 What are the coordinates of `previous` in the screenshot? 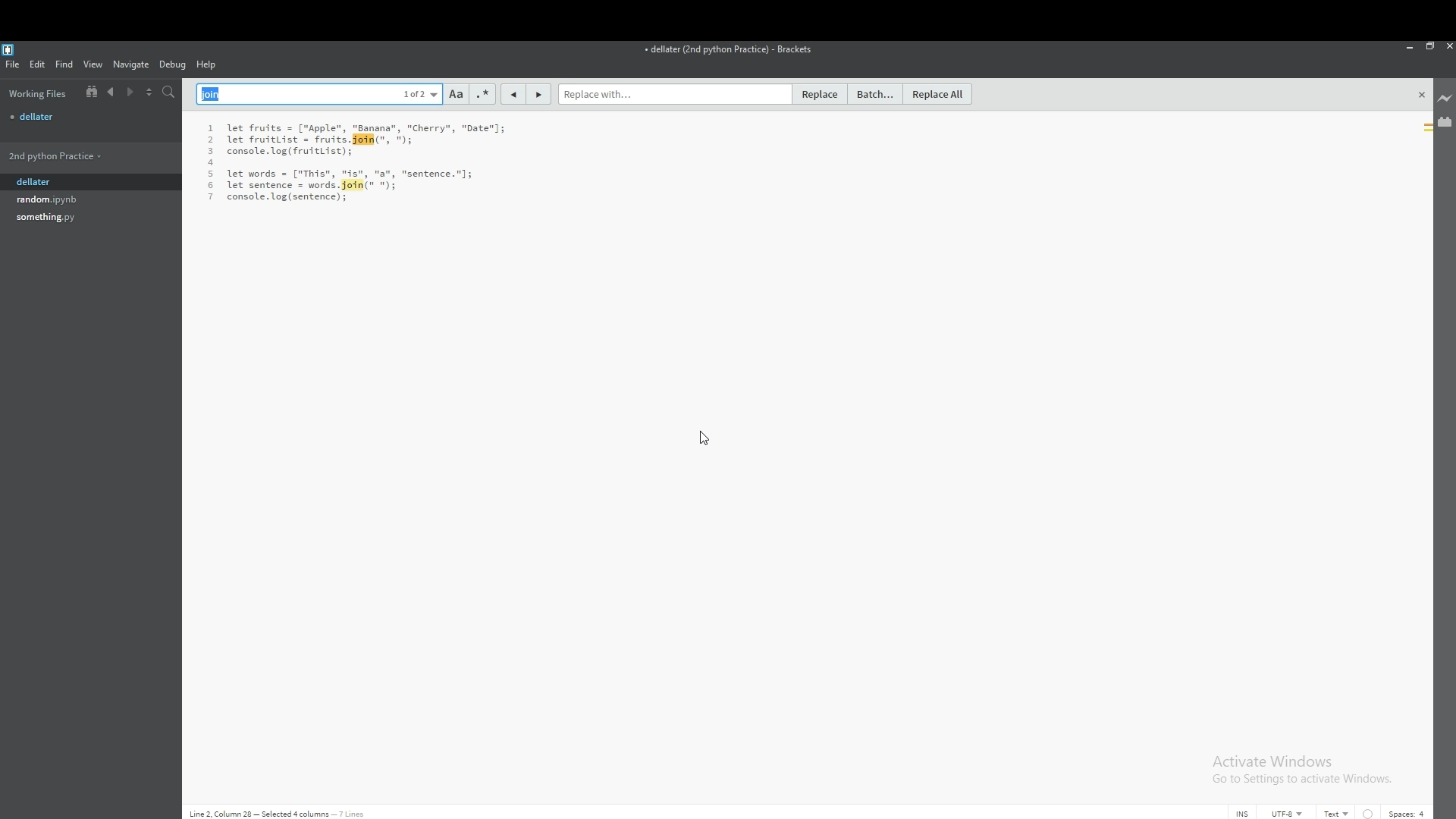 It's located at (111, 92).